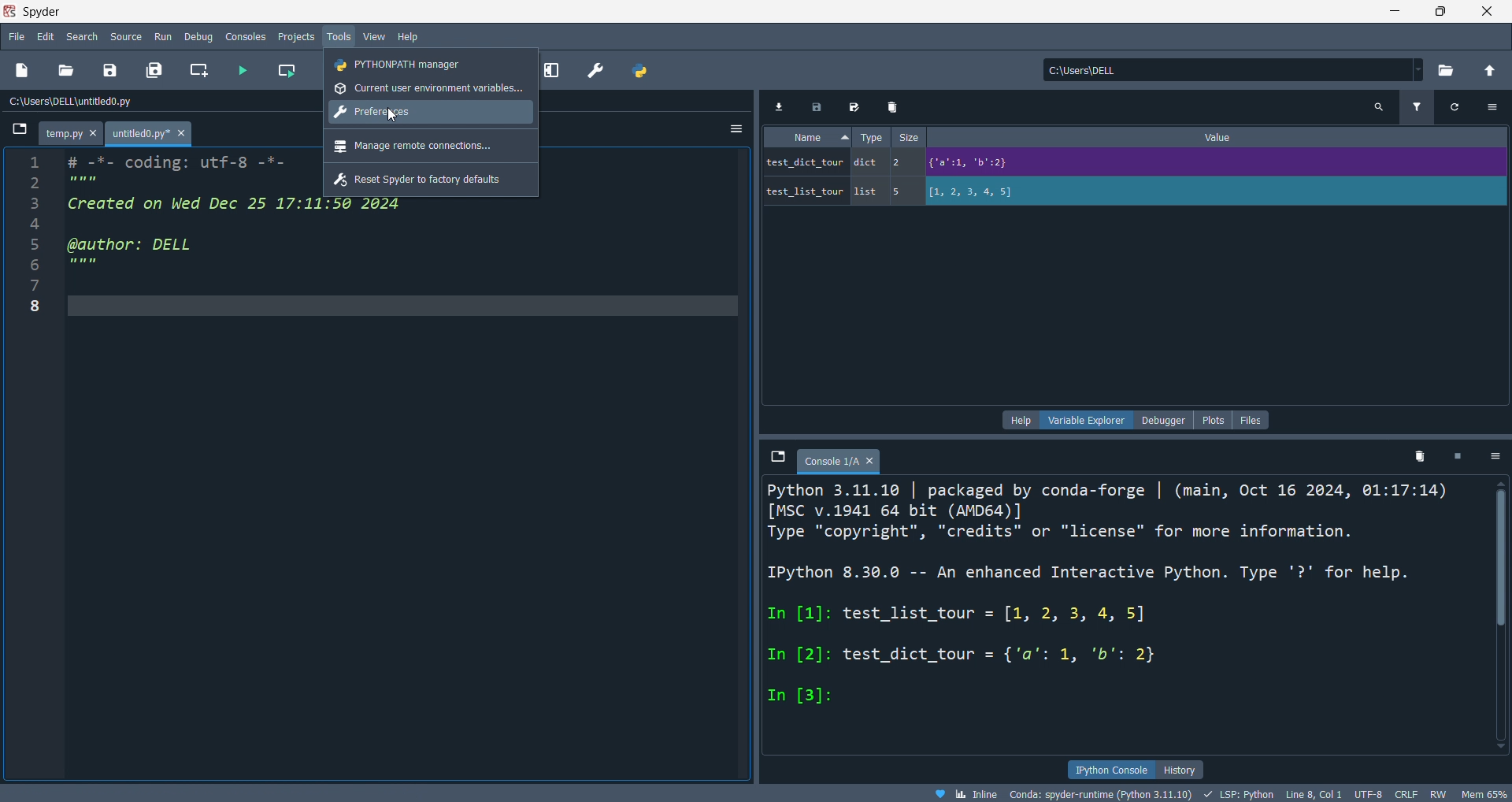 The width and height of the screenshot is (1512, 802). What do you see at coordinates (929, 191) in the screenshot?
I see `test list tour list 5 [1, 2, 3, 4, 5]` at bounding box center [929, 191].